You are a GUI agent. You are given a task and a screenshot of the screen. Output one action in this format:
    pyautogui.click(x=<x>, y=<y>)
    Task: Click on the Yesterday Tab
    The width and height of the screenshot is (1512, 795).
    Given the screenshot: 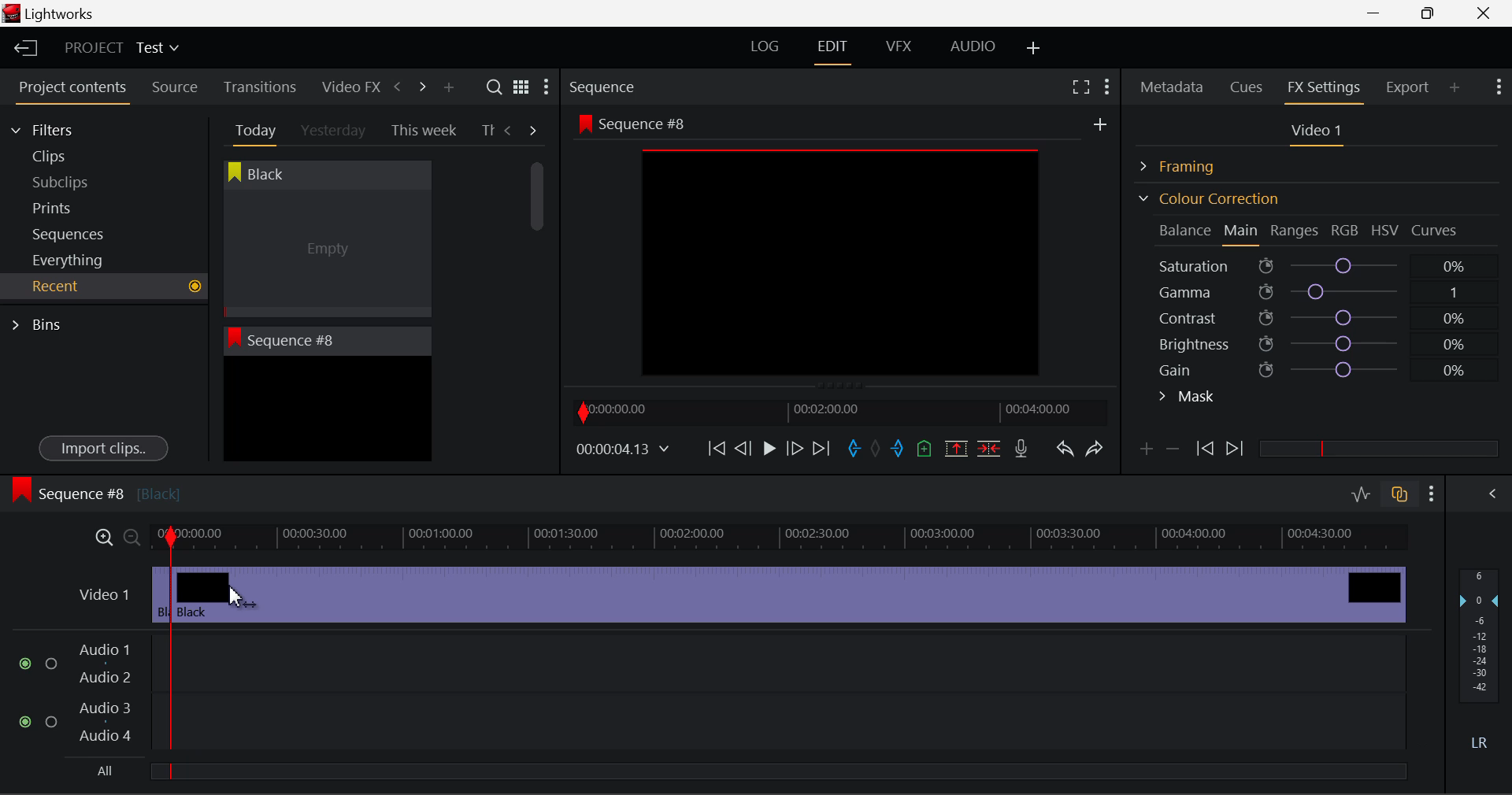 What is the action you would take?
    pyautogui.click(x=335, y=131)
    